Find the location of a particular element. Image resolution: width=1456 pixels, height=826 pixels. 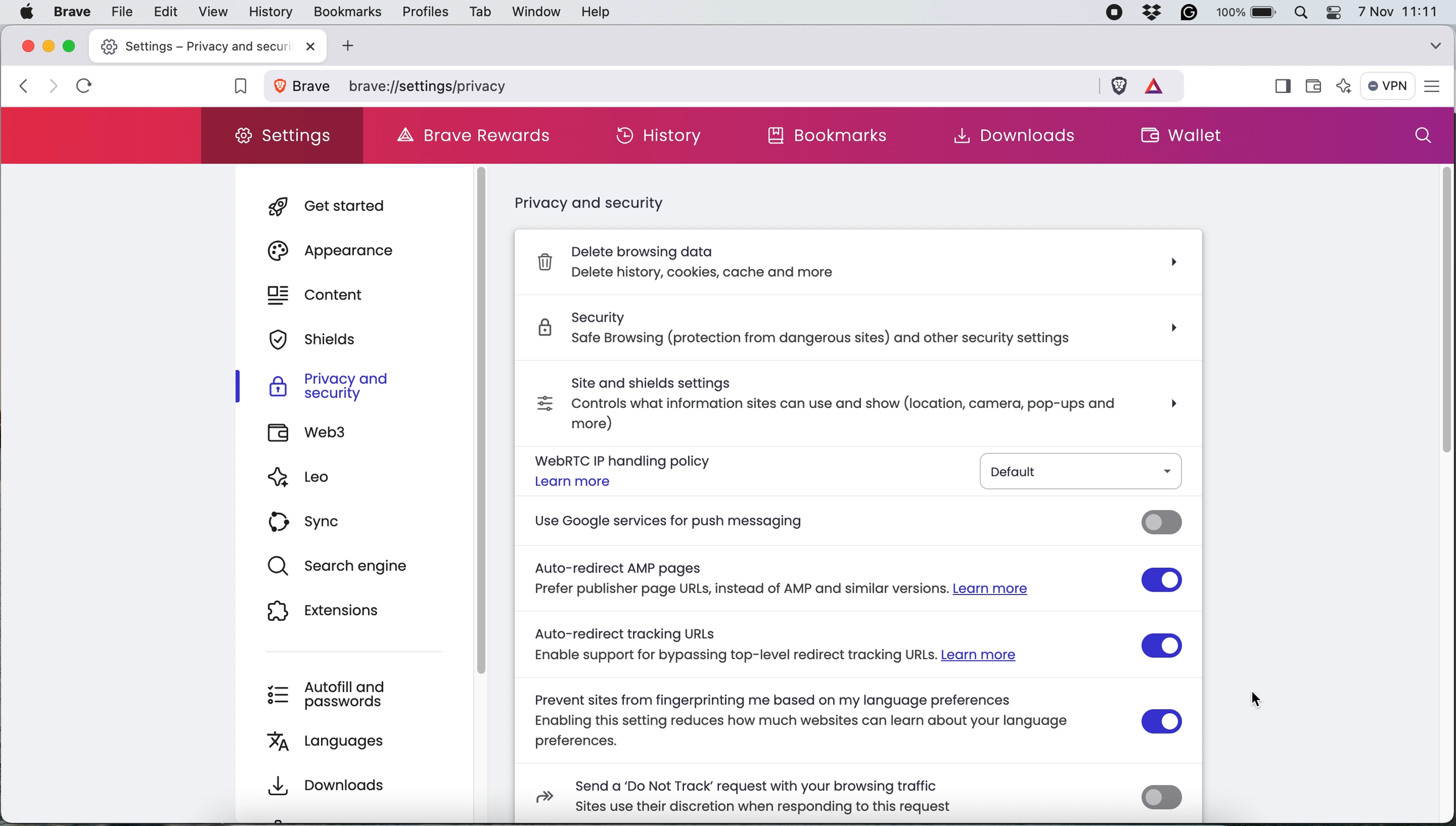

auto redirect AMP pages toggle switch is located at coordinates (1163, 579).